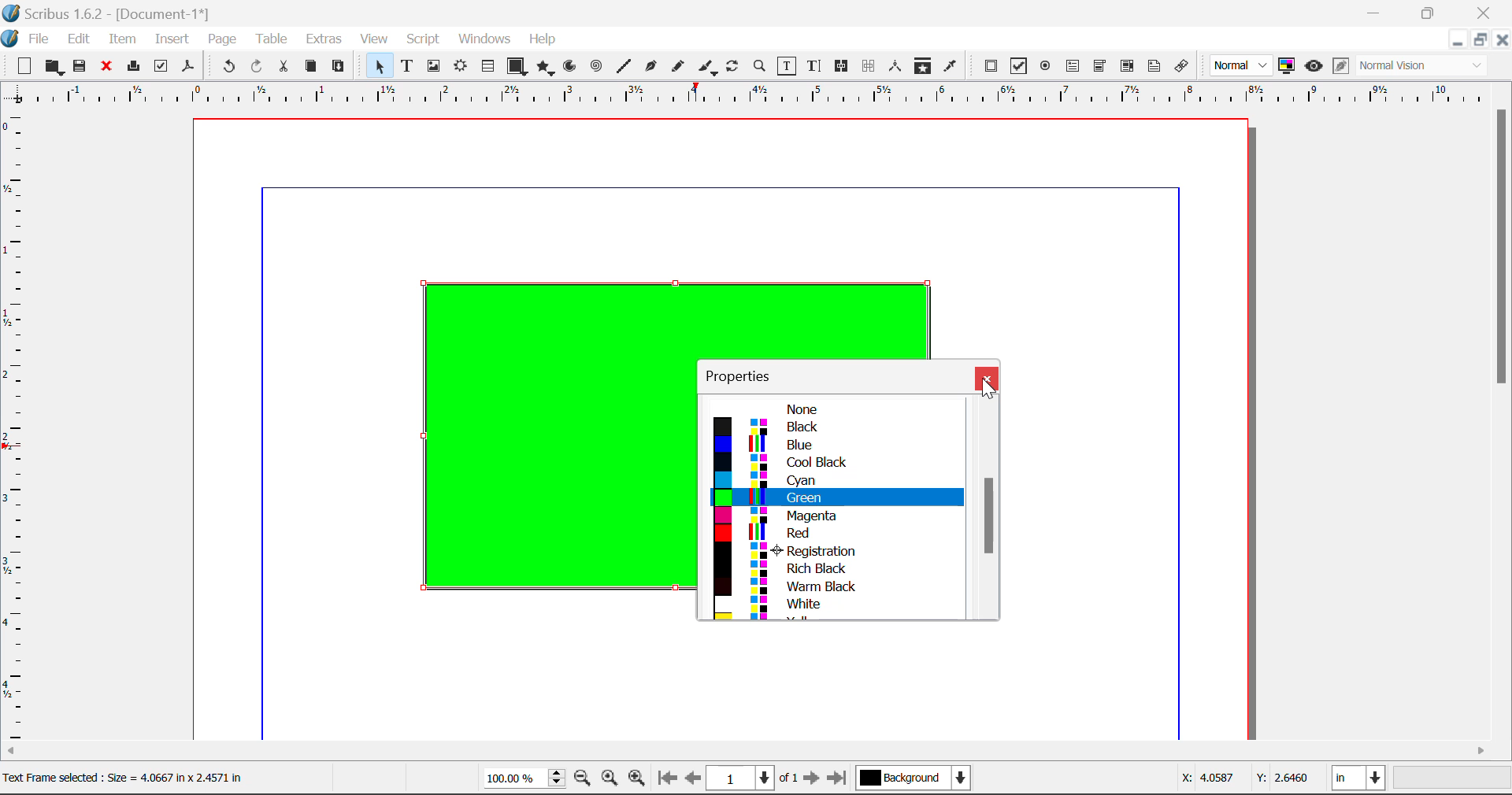 This screenshot has height=795, width=1512. What do you see at coordinates (107, 67) in the screenshot?
I see `Discard` at bounding box center [107, 67].